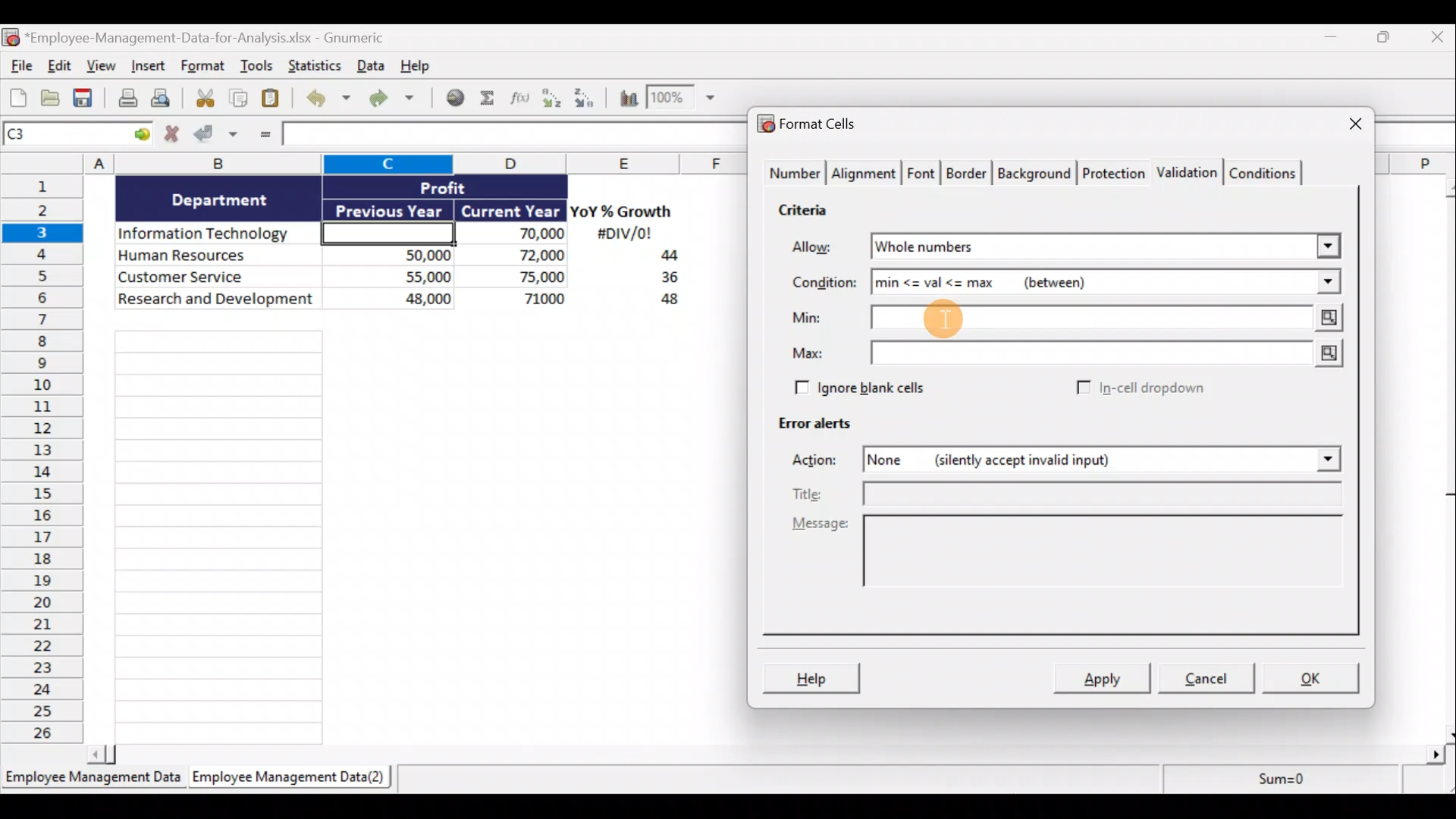 This screenshot has width=1456, height=819. What do you see at coordinates (58, 67) in the screenshot?
I see `Edit` at bounding box center [58, 67].